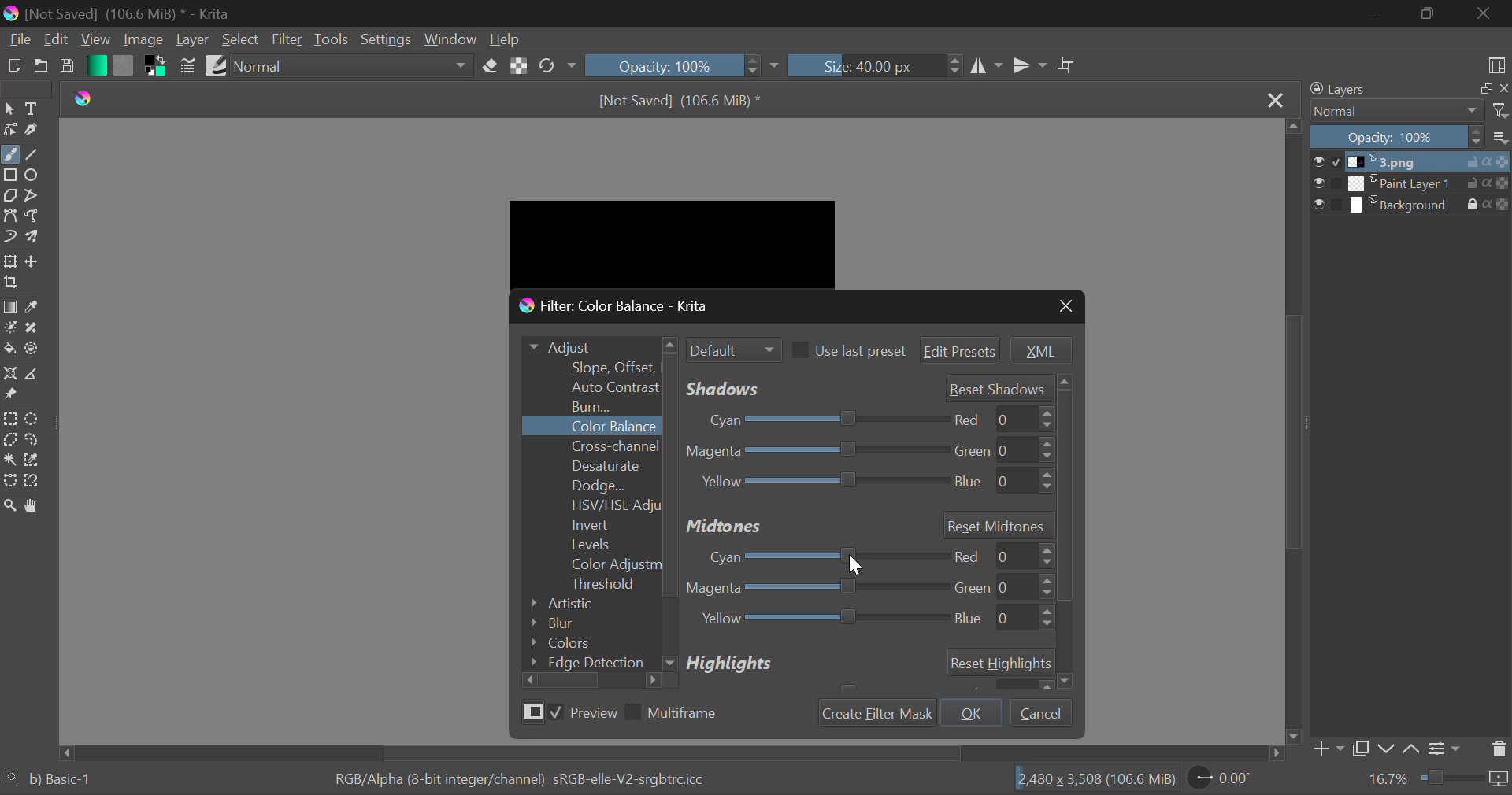  I want to click on blue, so click(1001, 482).